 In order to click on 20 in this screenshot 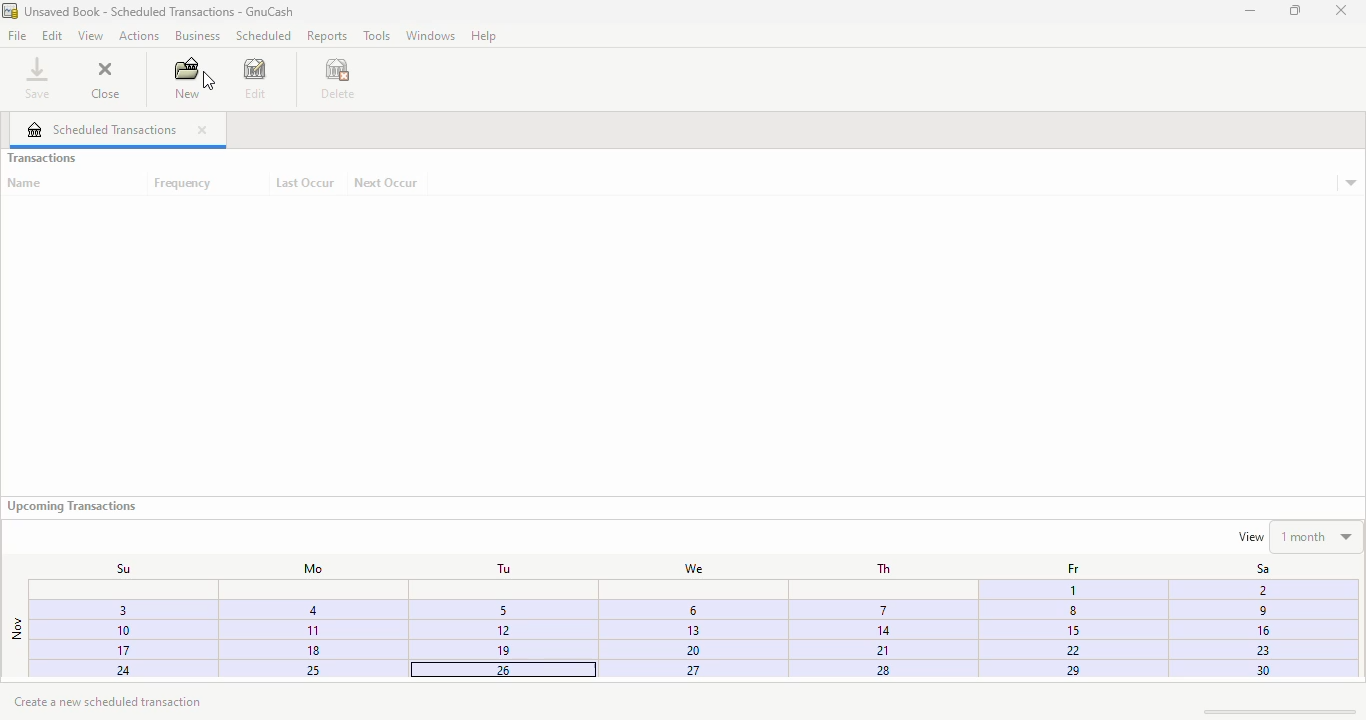, I will do `click(692, 651)`.